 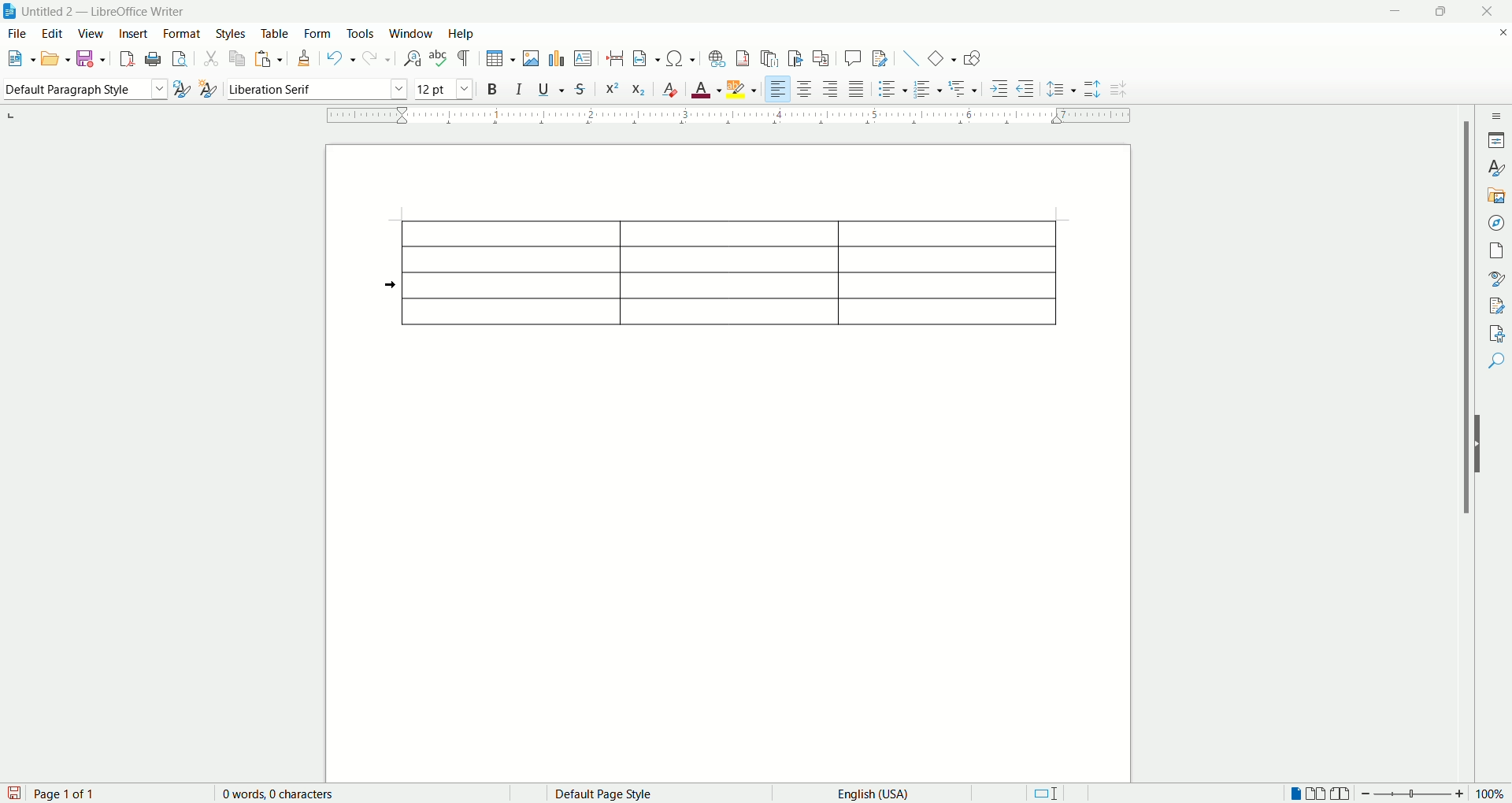 What do you see at coordinates (1495, 361) in the screenshot?
I see `find` at bounding box center [1495, 361].